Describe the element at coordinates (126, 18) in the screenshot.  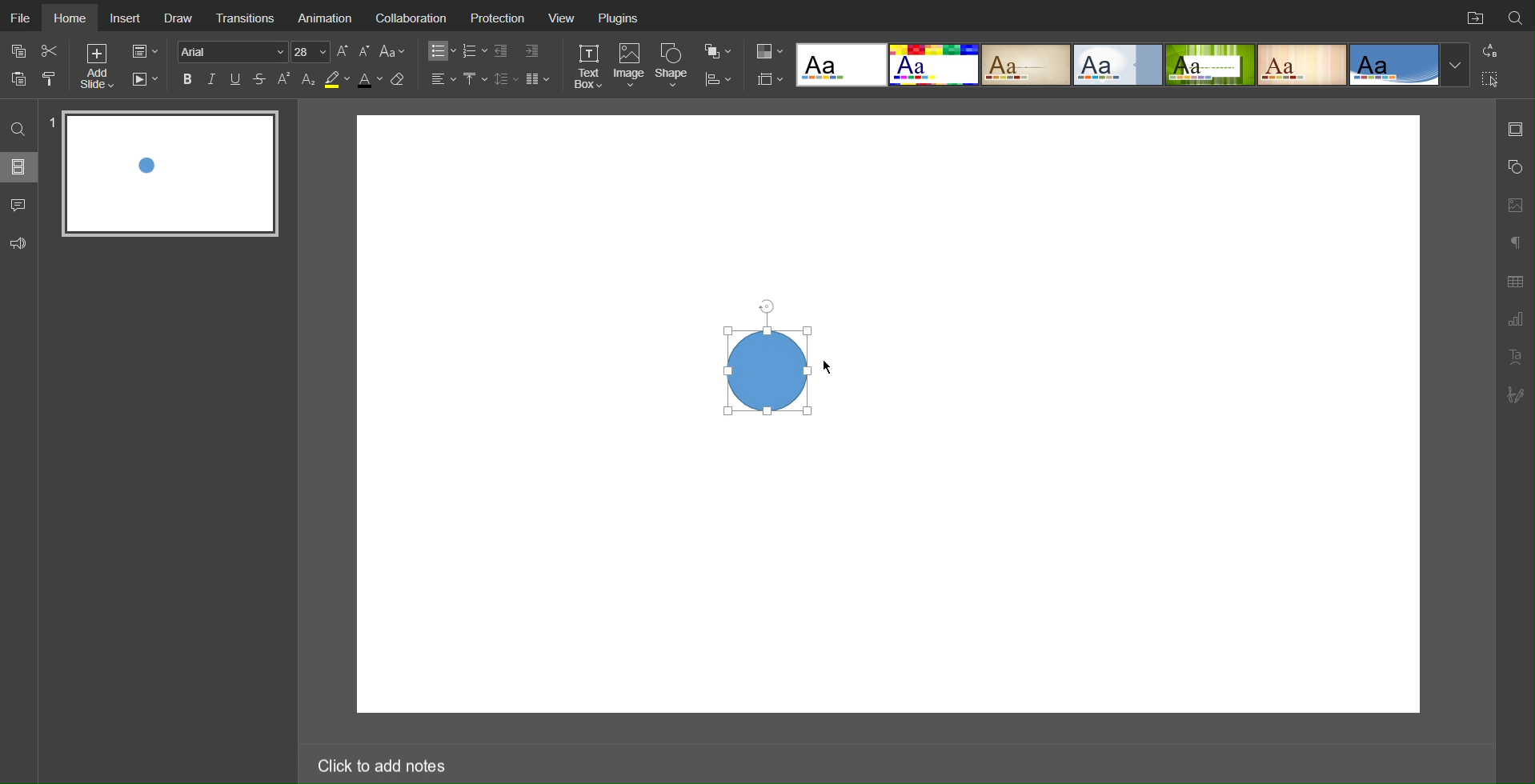
I see `Insert` at that location.